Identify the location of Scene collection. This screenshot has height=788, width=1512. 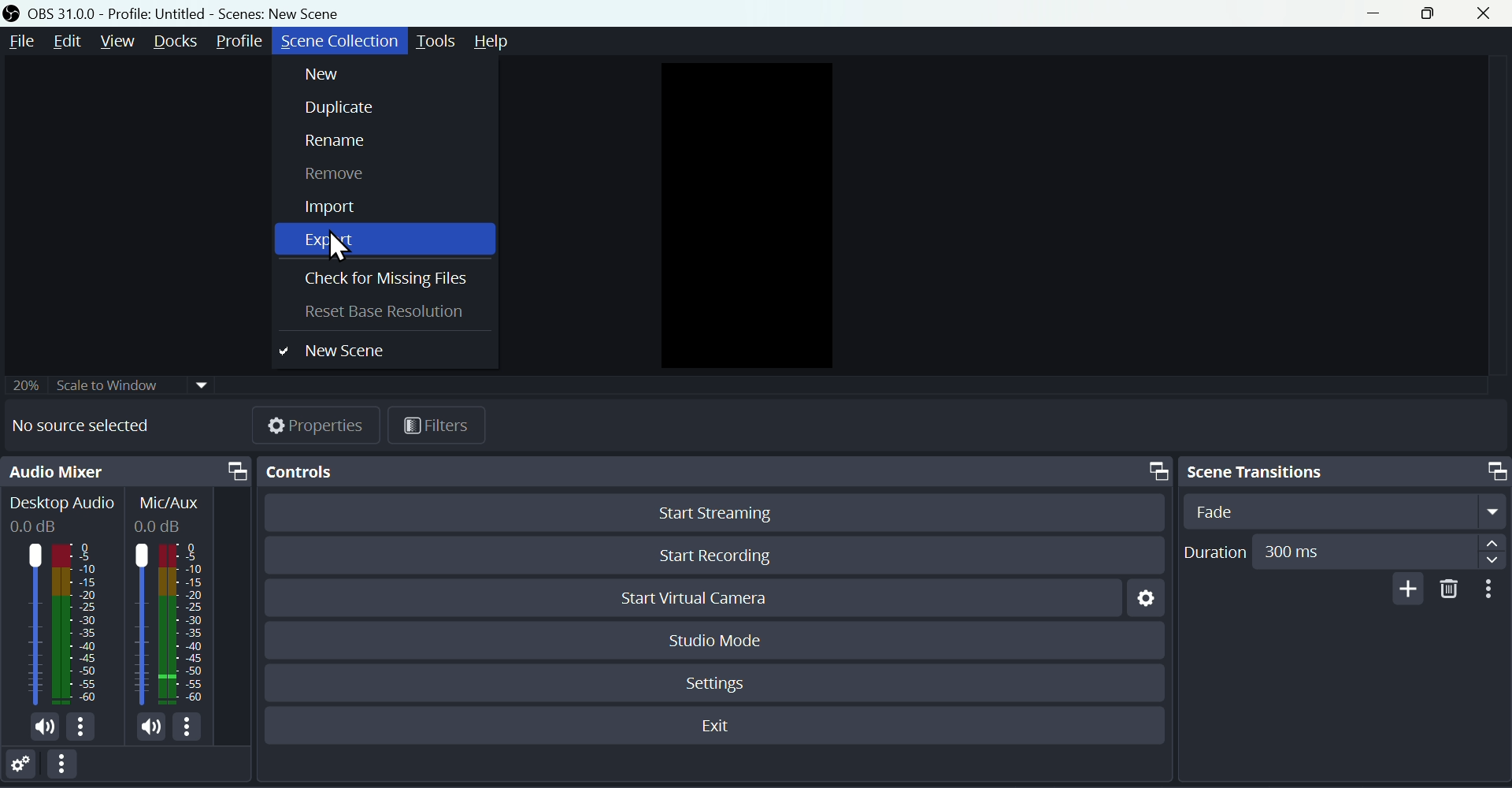
(337, 41).